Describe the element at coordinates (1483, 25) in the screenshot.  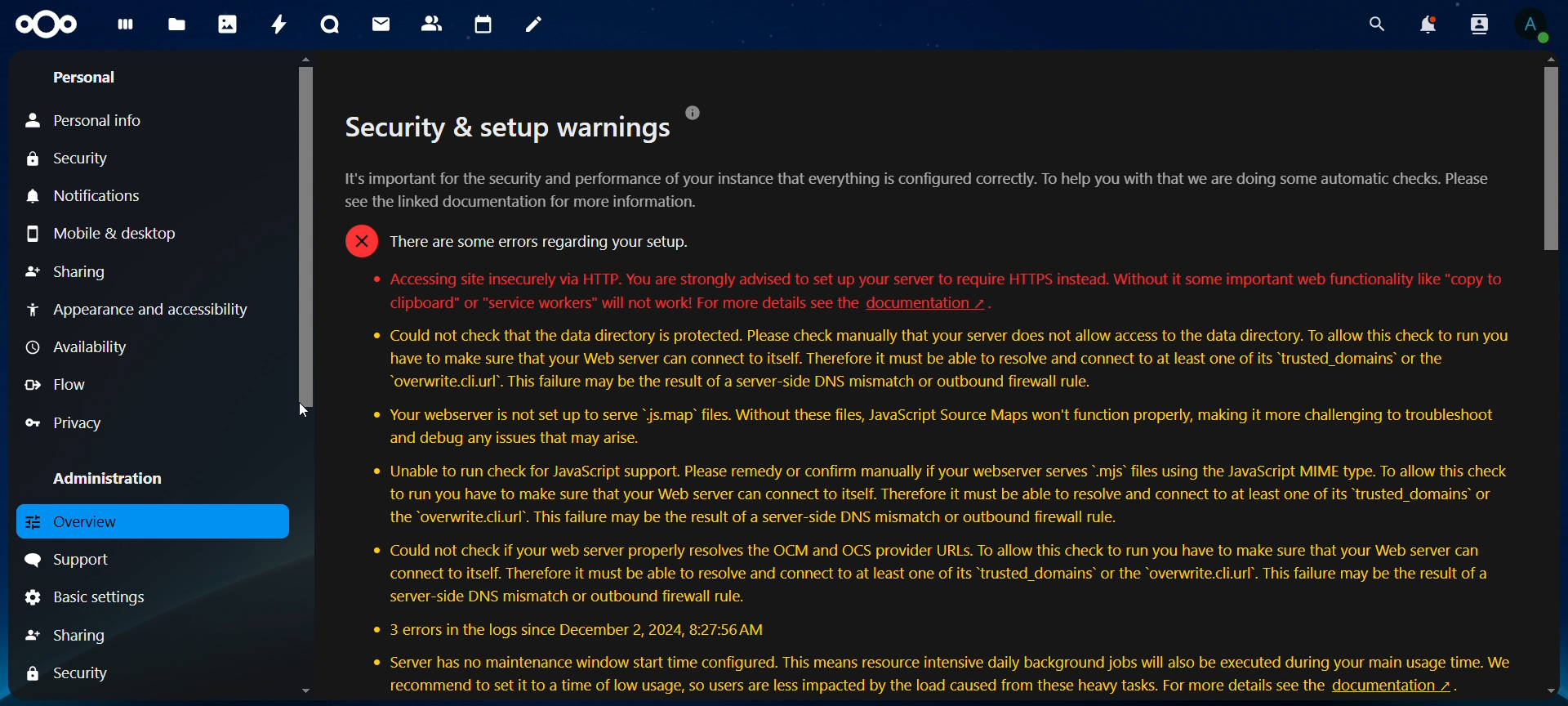
I see `search contacts` at that location.